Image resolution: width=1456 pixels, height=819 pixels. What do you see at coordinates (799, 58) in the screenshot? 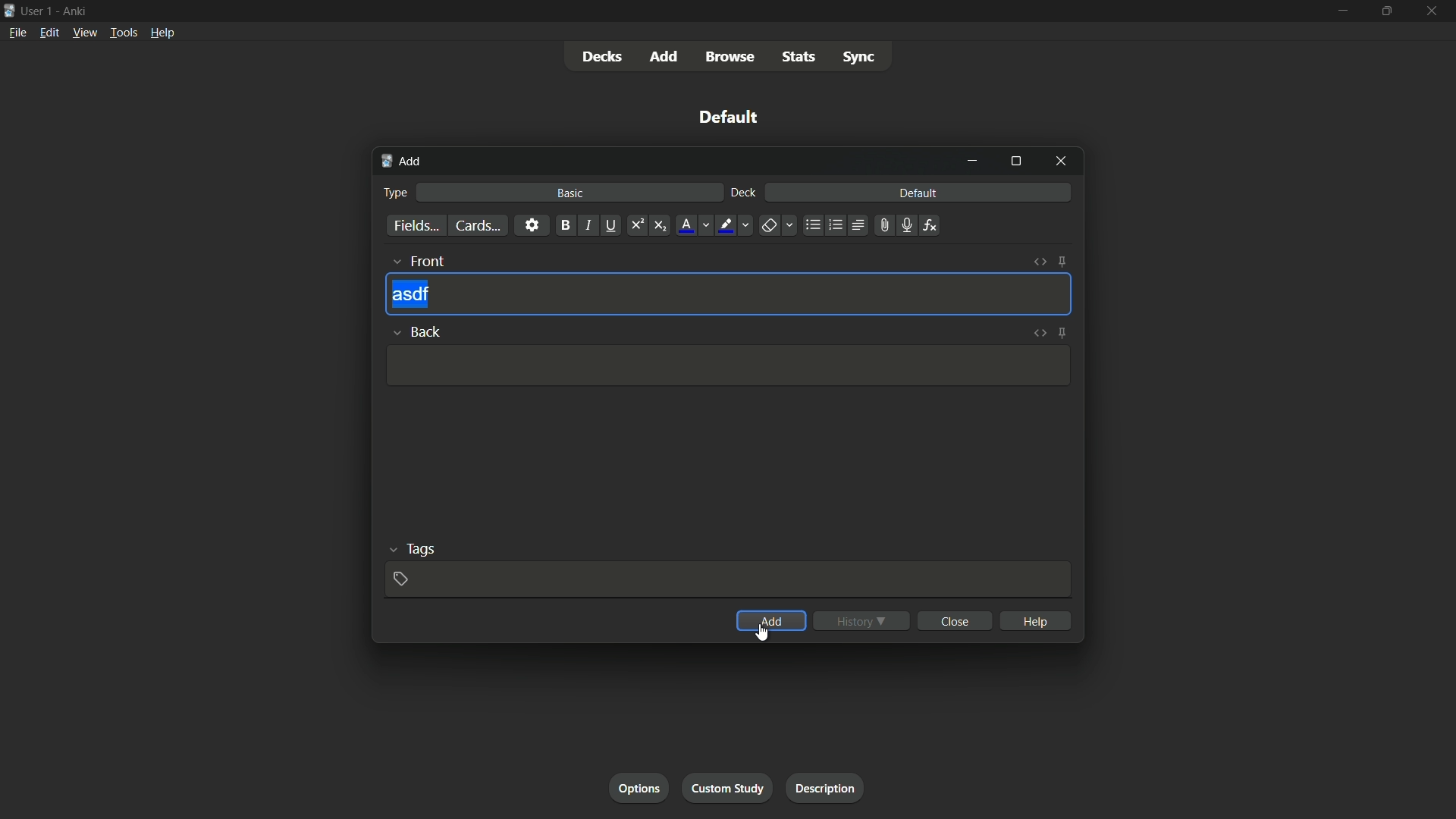
I see `stats` at bounding box center [799, 58].